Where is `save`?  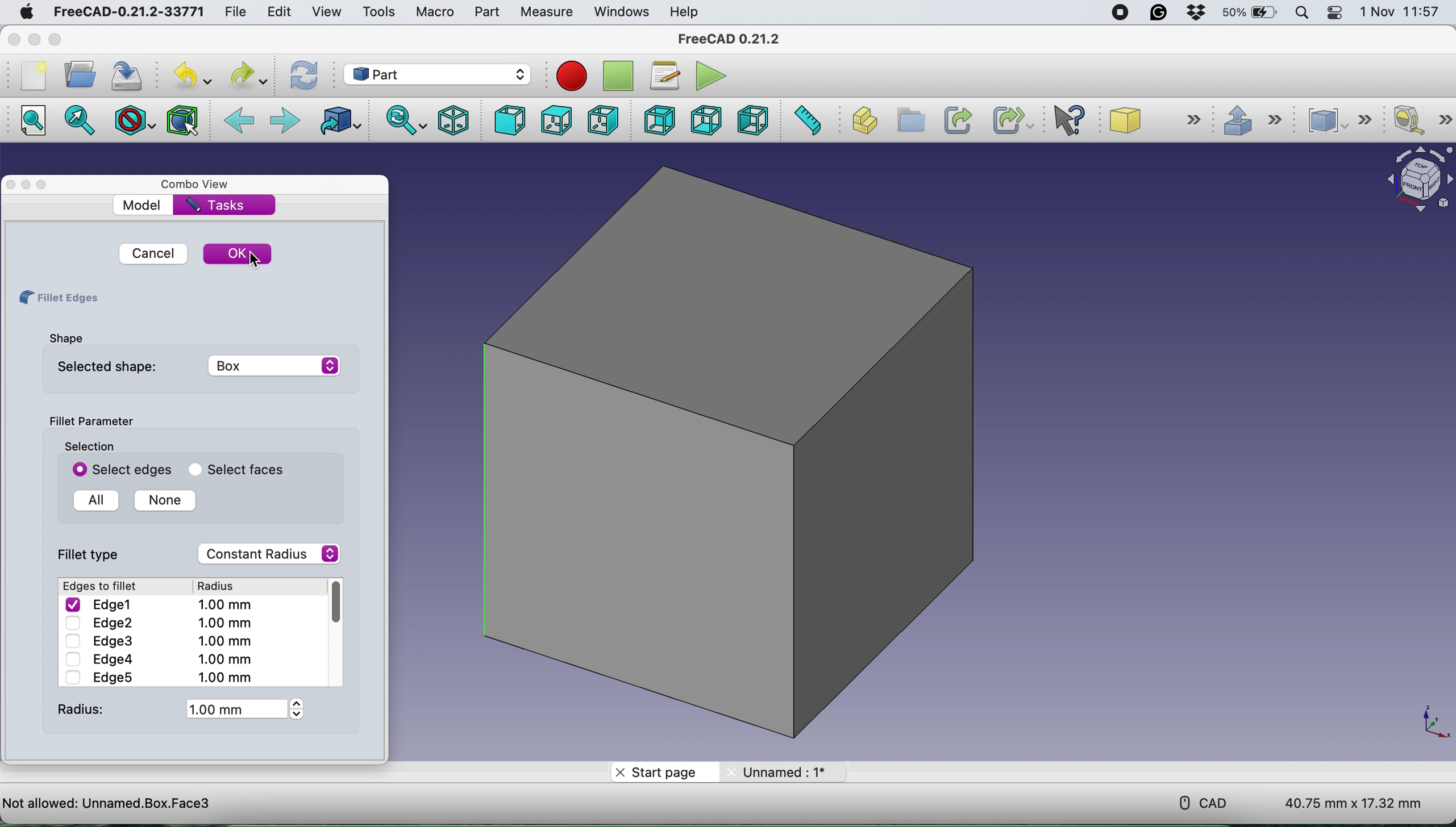 save is located at coordinates (131, 75).